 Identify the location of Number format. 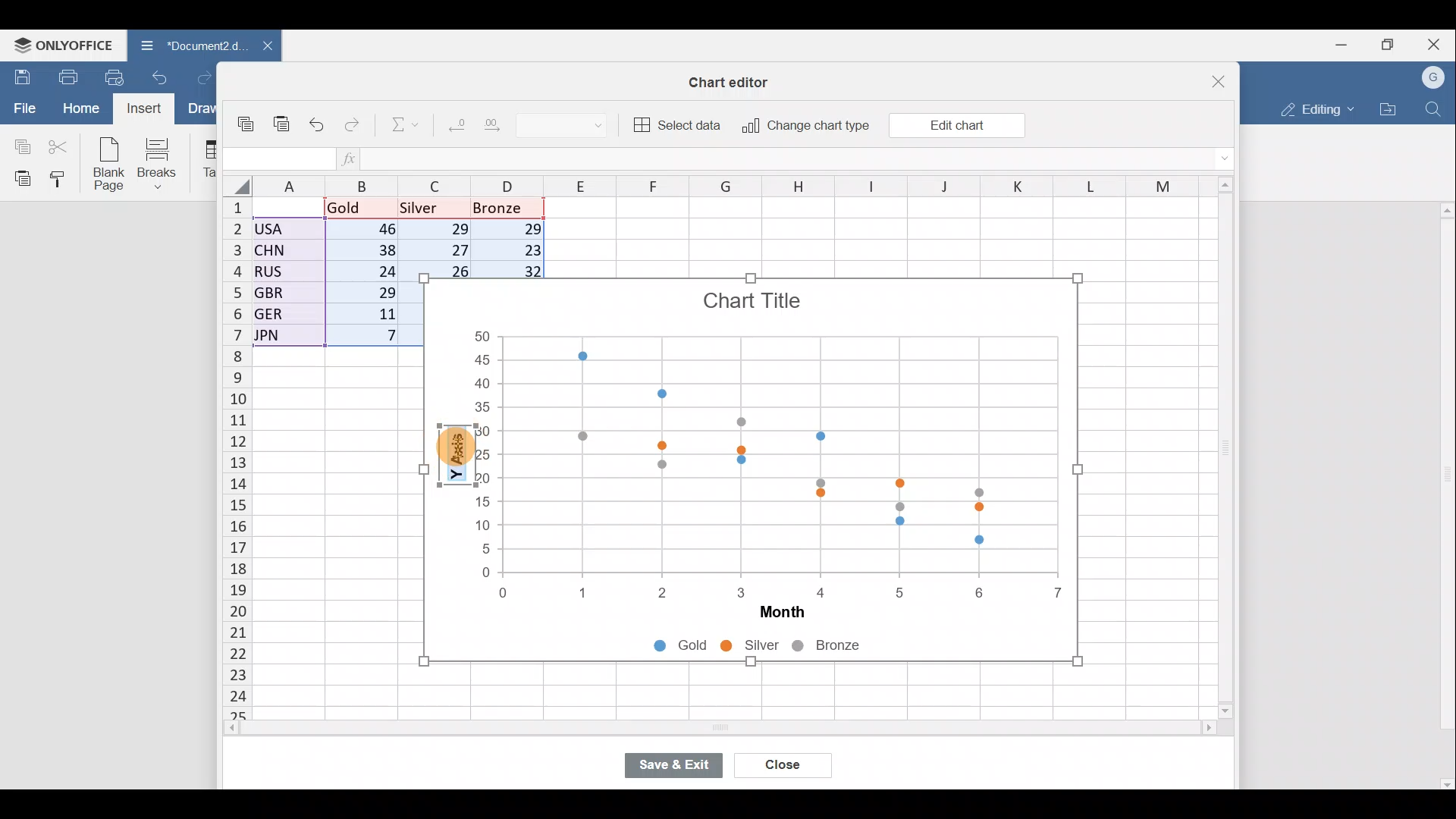
(579, 127).